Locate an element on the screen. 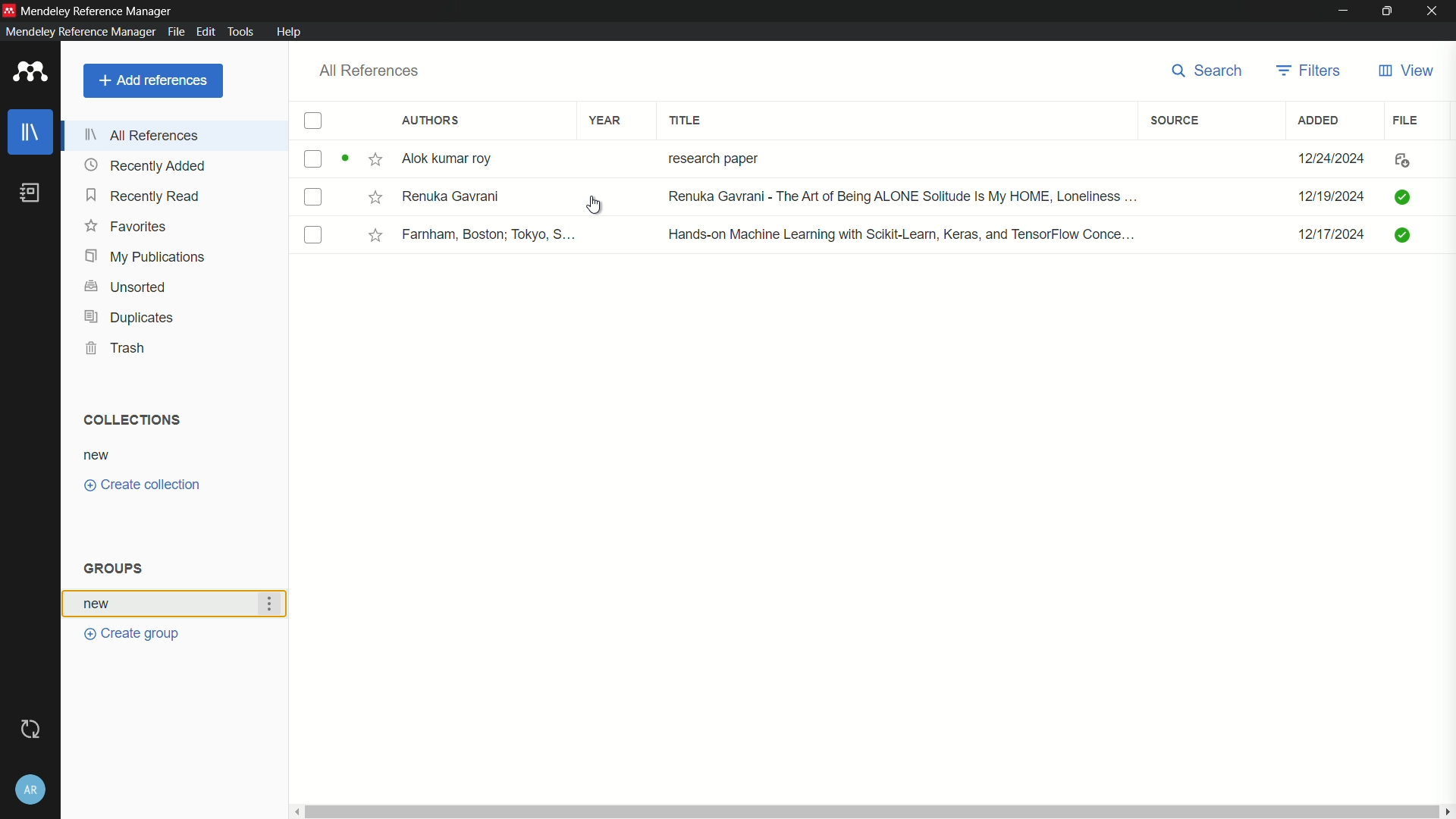  Hands on Machine Learning... is located at coordinates (898, 233).